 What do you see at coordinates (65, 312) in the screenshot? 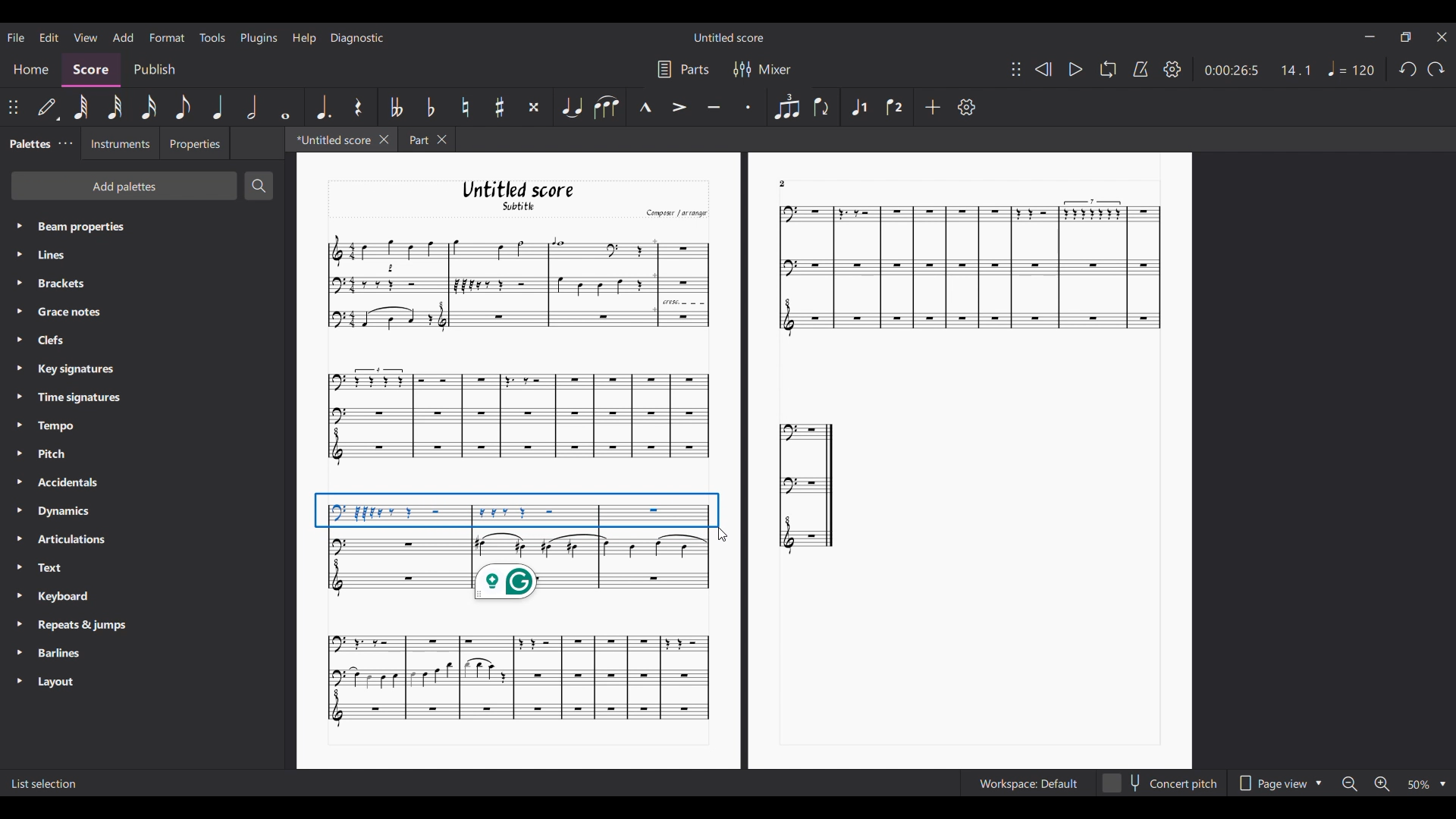
I see `» Grace notes` at bounding box center [65, 312].